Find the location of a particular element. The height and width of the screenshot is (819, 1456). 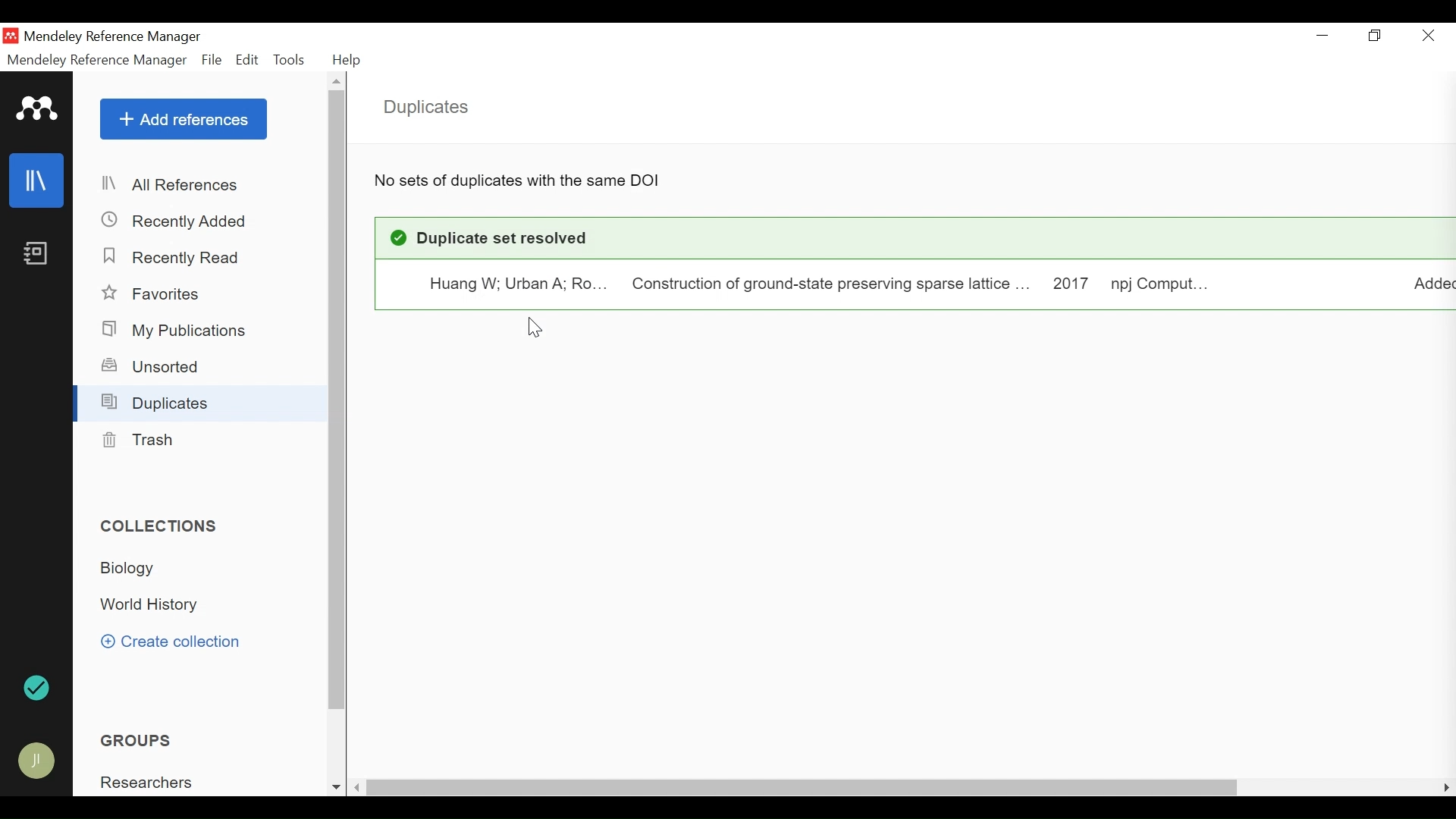

Mendeley Reference Manager is located at coordinates (117, 37).